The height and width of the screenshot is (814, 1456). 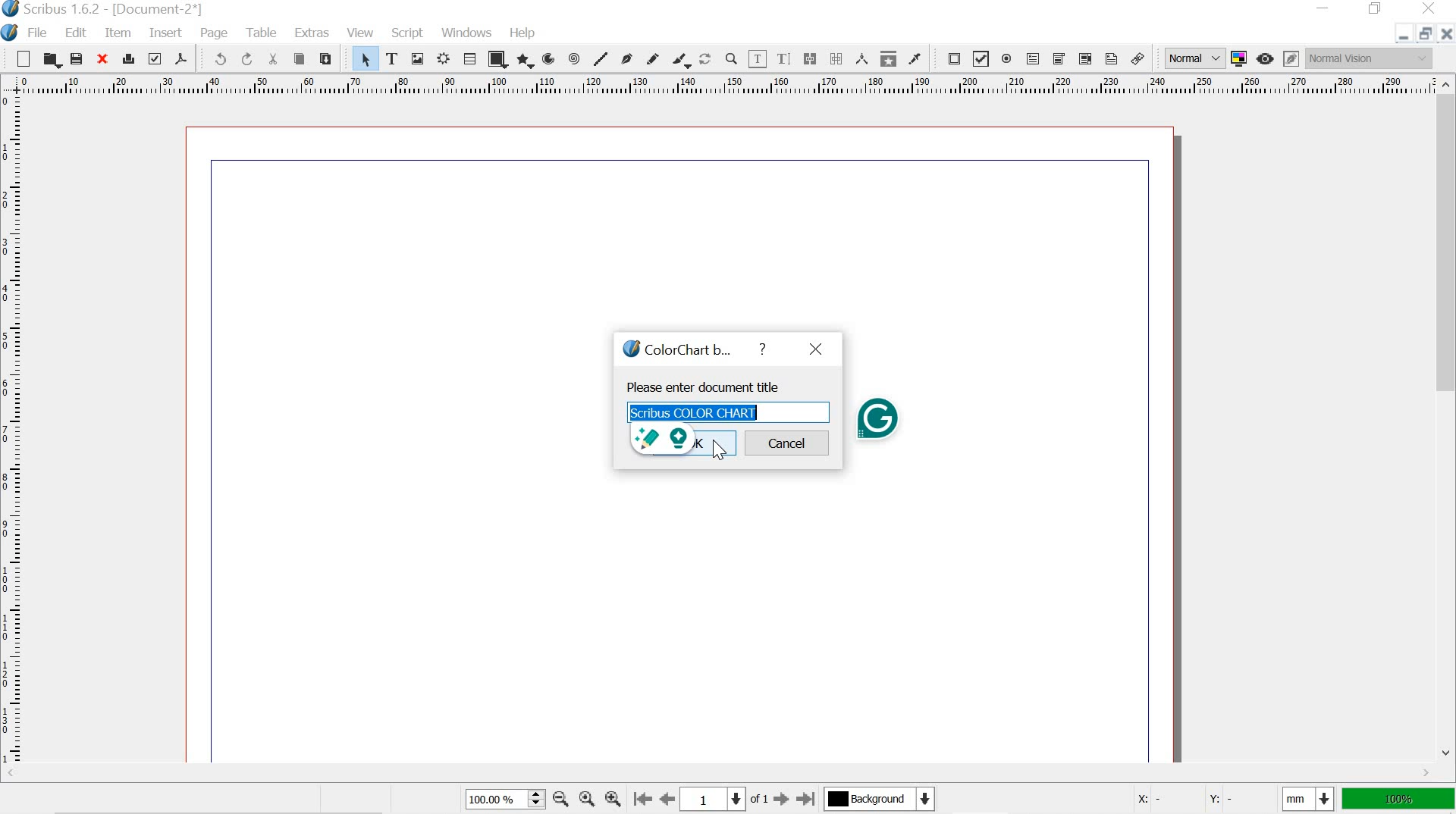 I want to click on pdf text field, so click(x=1034, y=60).